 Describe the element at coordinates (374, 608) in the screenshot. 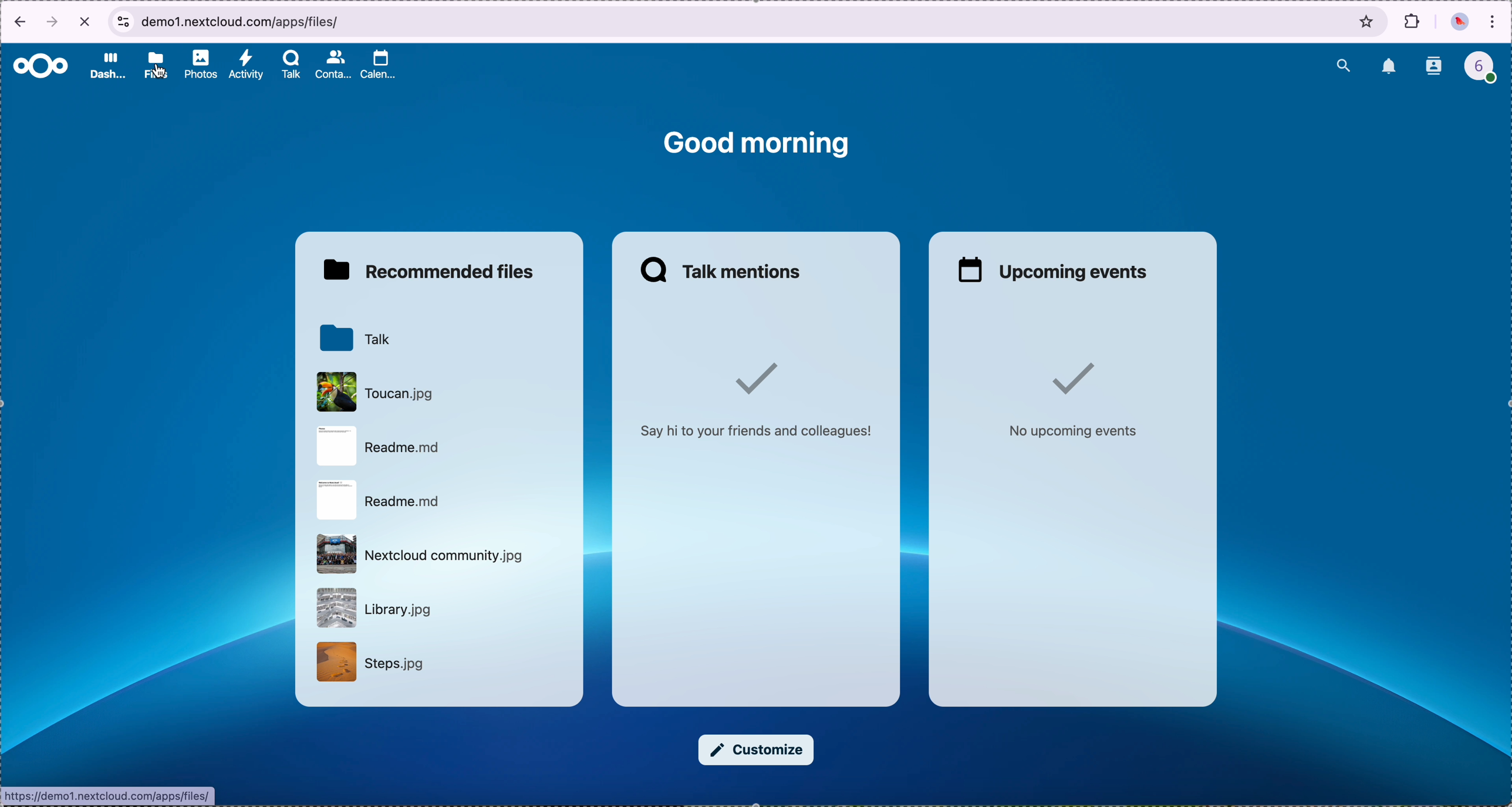

I see `library.jpg` at that location.